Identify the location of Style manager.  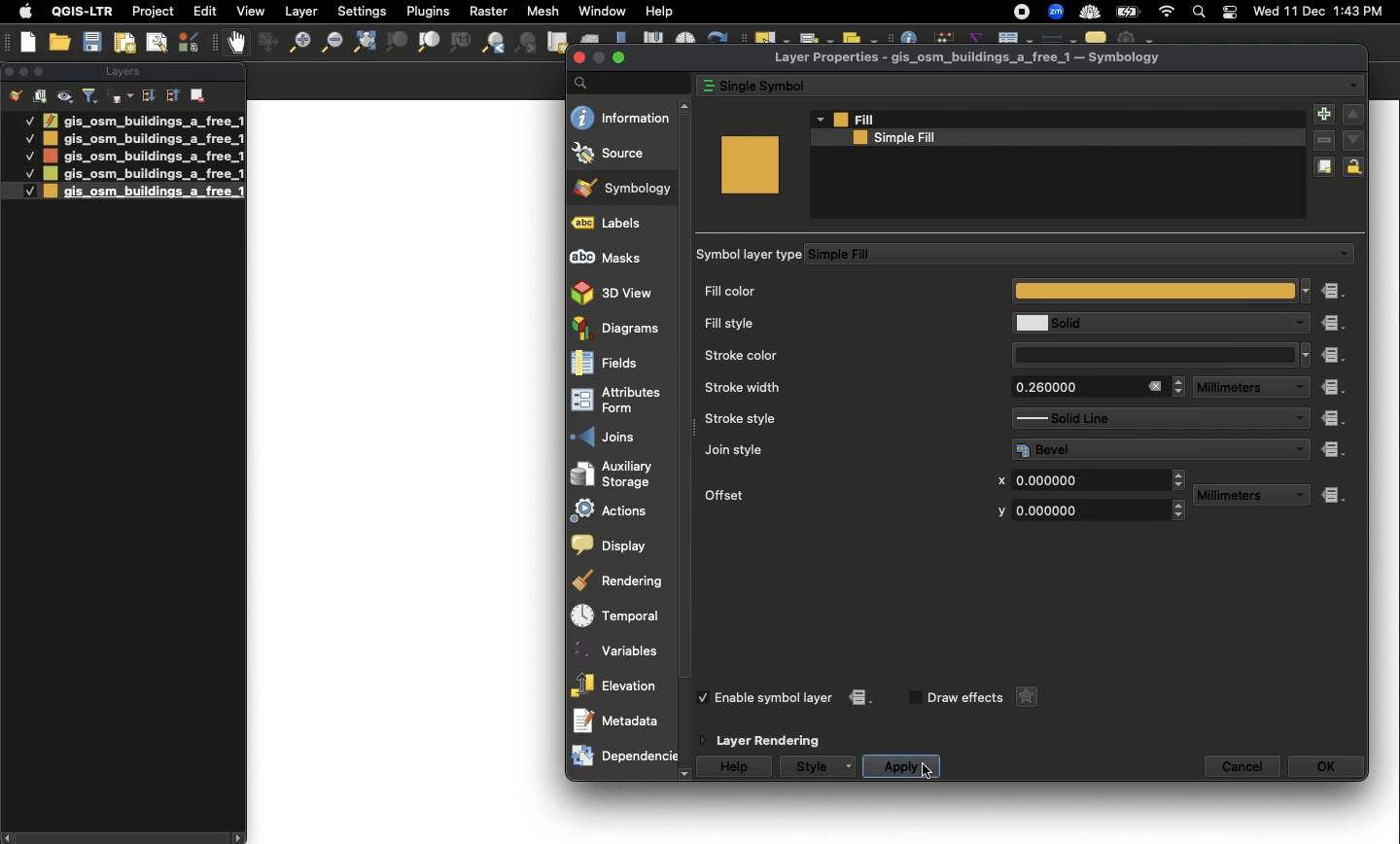
(191, 42).